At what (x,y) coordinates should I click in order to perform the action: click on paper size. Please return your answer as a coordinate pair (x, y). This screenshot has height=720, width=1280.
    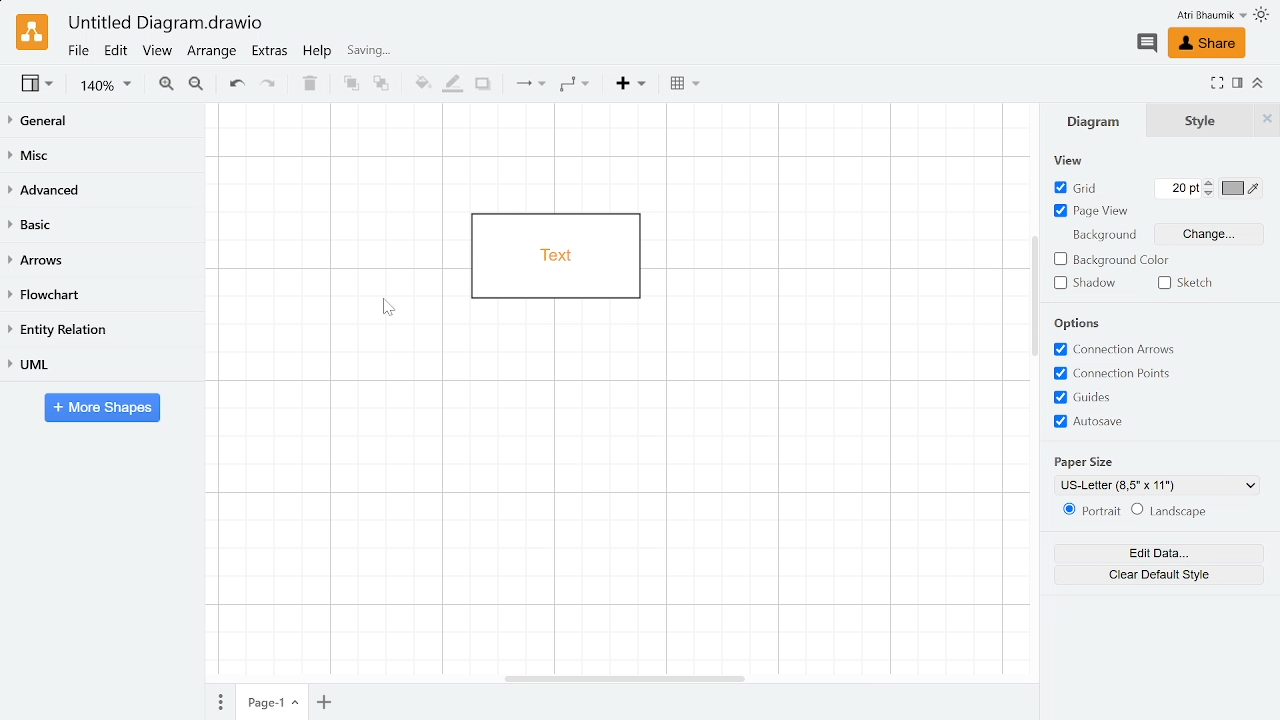
    Looking at the image, I should click on (1095, 459).